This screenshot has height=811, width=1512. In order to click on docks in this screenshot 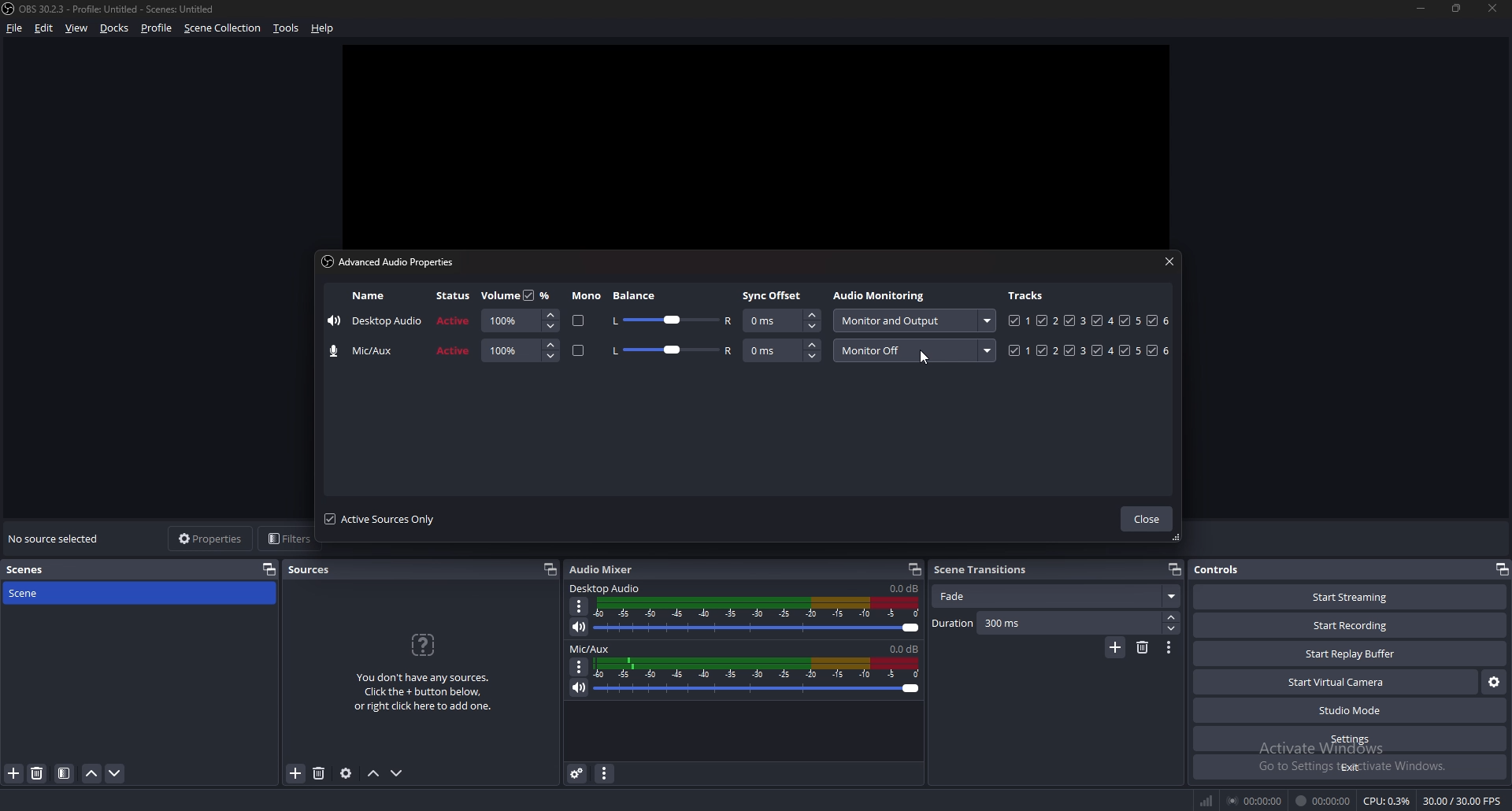, I will do `click(115, 28)`.